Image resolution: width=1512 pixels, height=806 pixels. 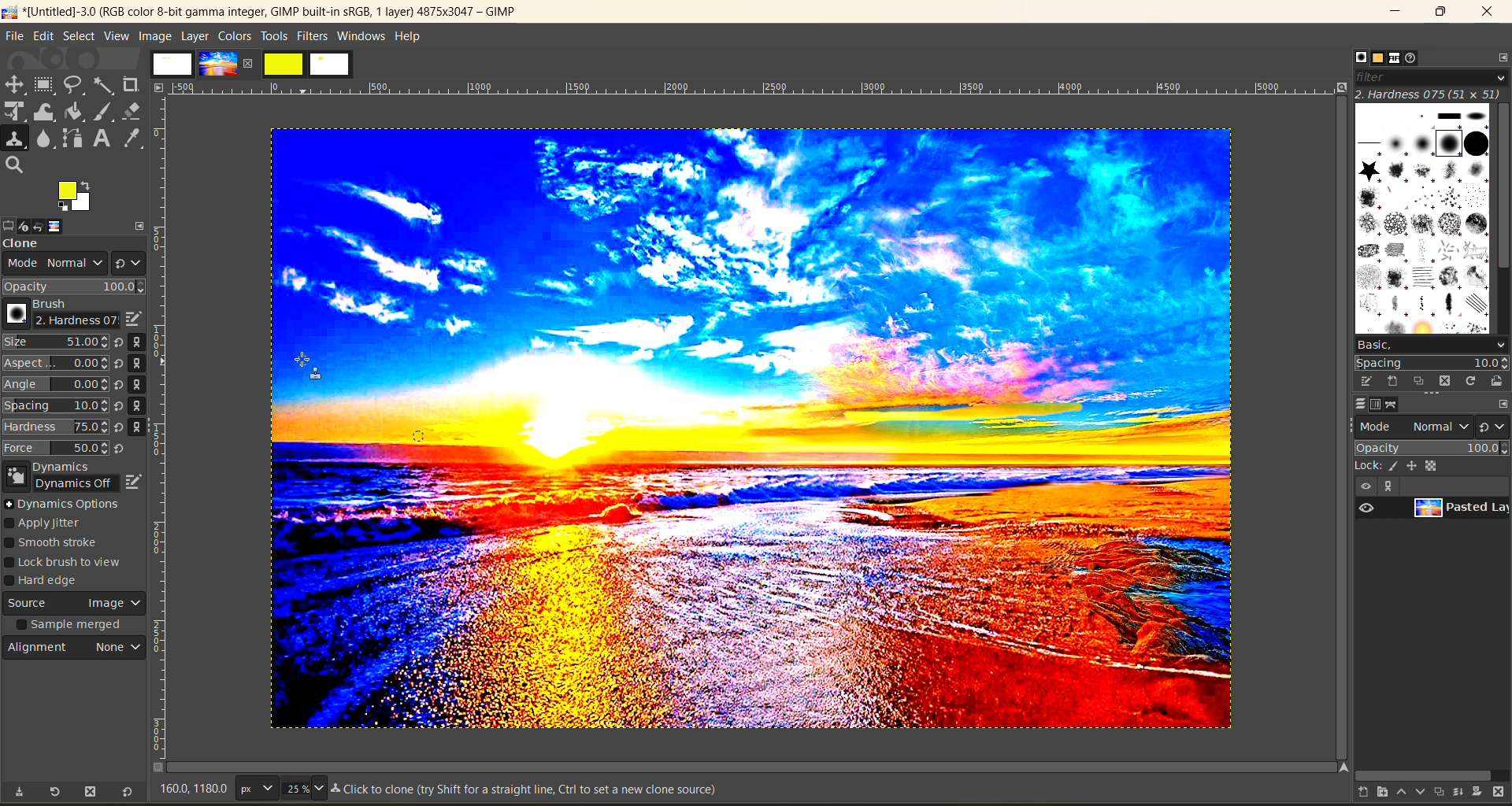 I want to click on , so click(x=1340, y=767).